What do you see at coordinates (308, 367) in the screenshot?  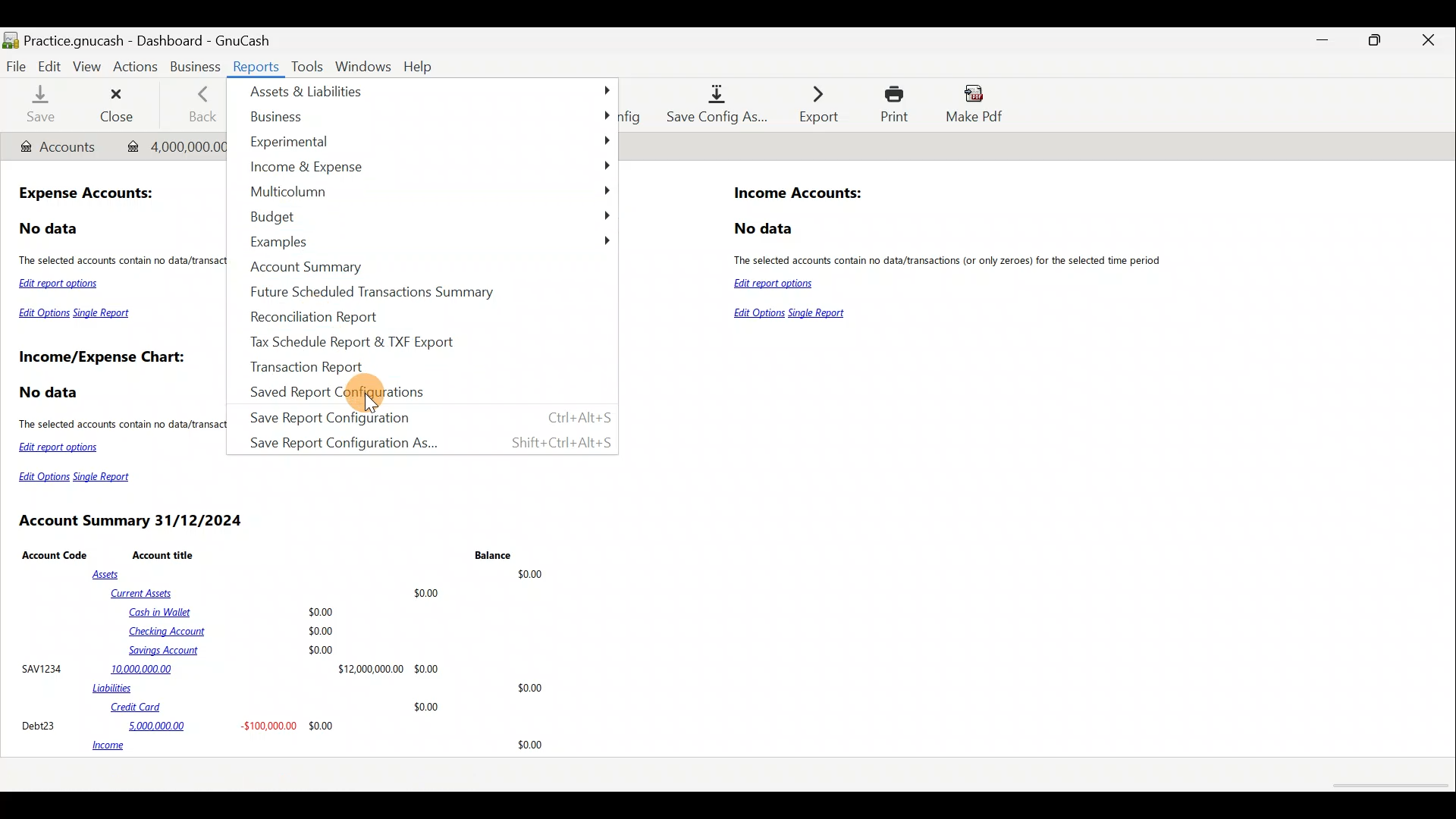 I see `Transaction Report` at bounding box center [308, 367].